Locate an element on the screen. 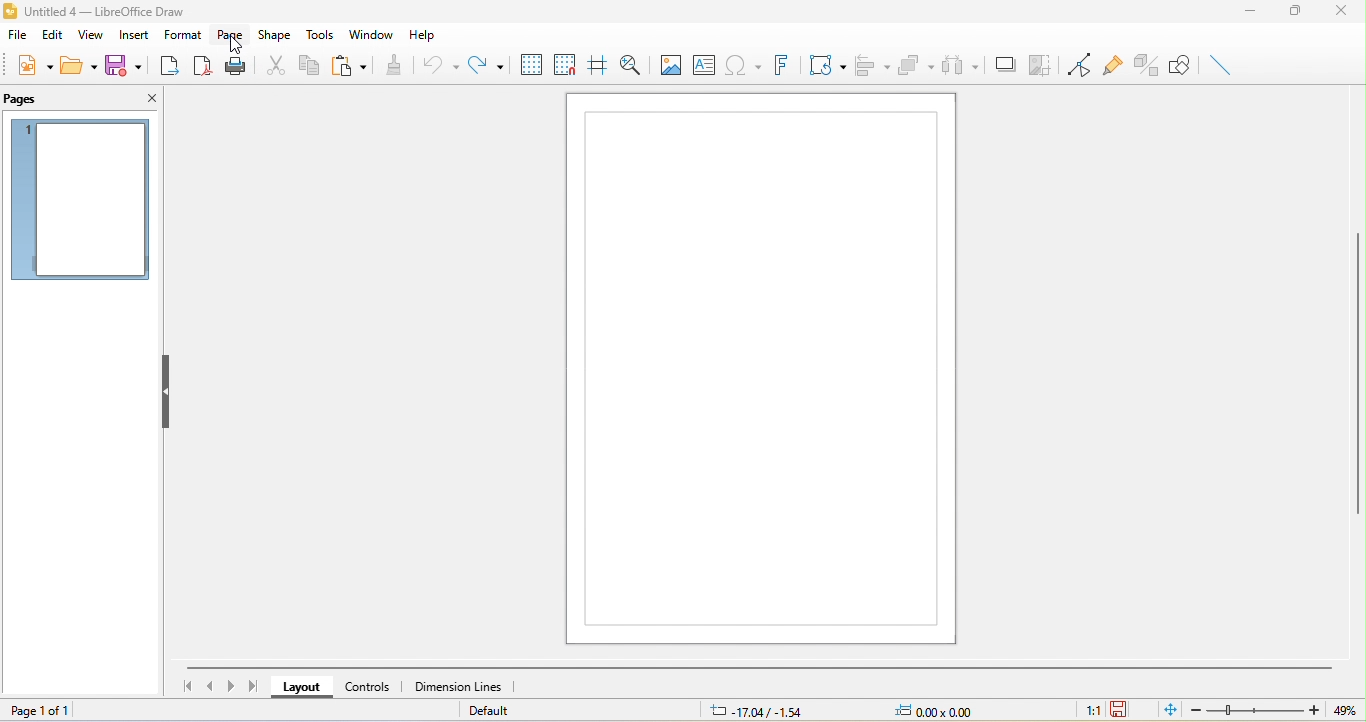  first page is located at coordinates (183, 686).